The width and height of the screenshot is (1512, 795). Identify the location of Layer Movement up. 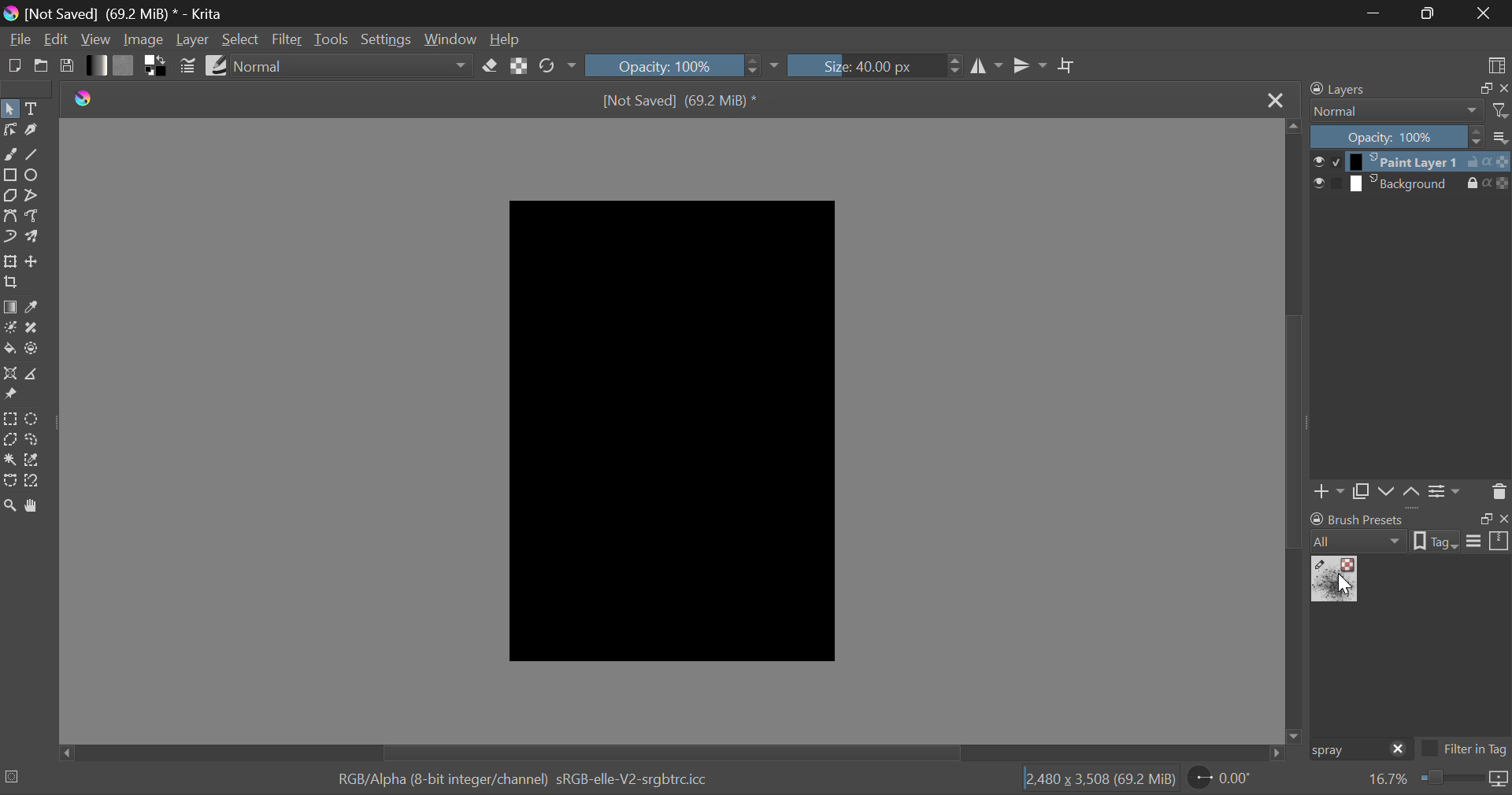
(1412, 494).